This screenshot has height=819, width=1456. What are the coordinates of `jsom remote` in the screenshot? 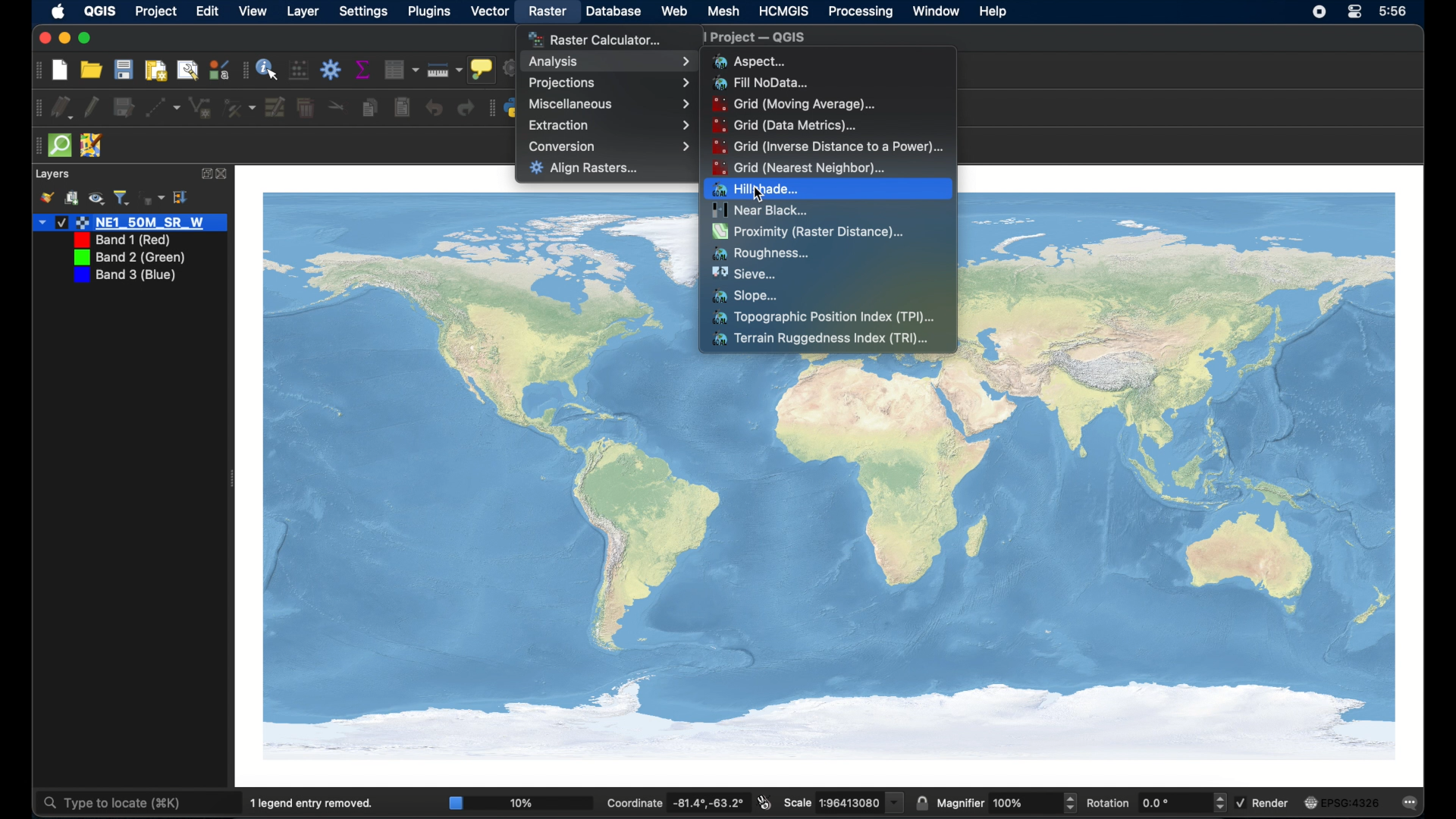 It's located at (93, 144).